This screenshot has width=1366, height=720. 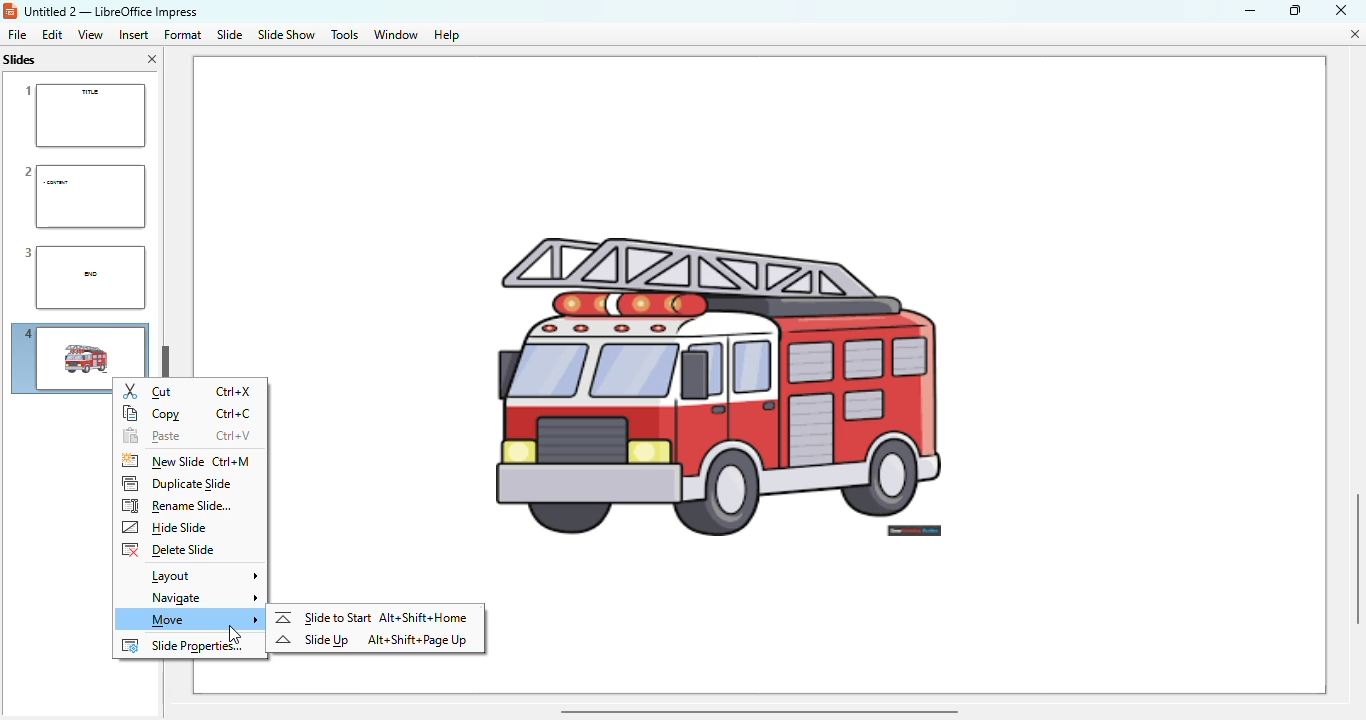 I want to click on insert, so click(x=134, y=35).